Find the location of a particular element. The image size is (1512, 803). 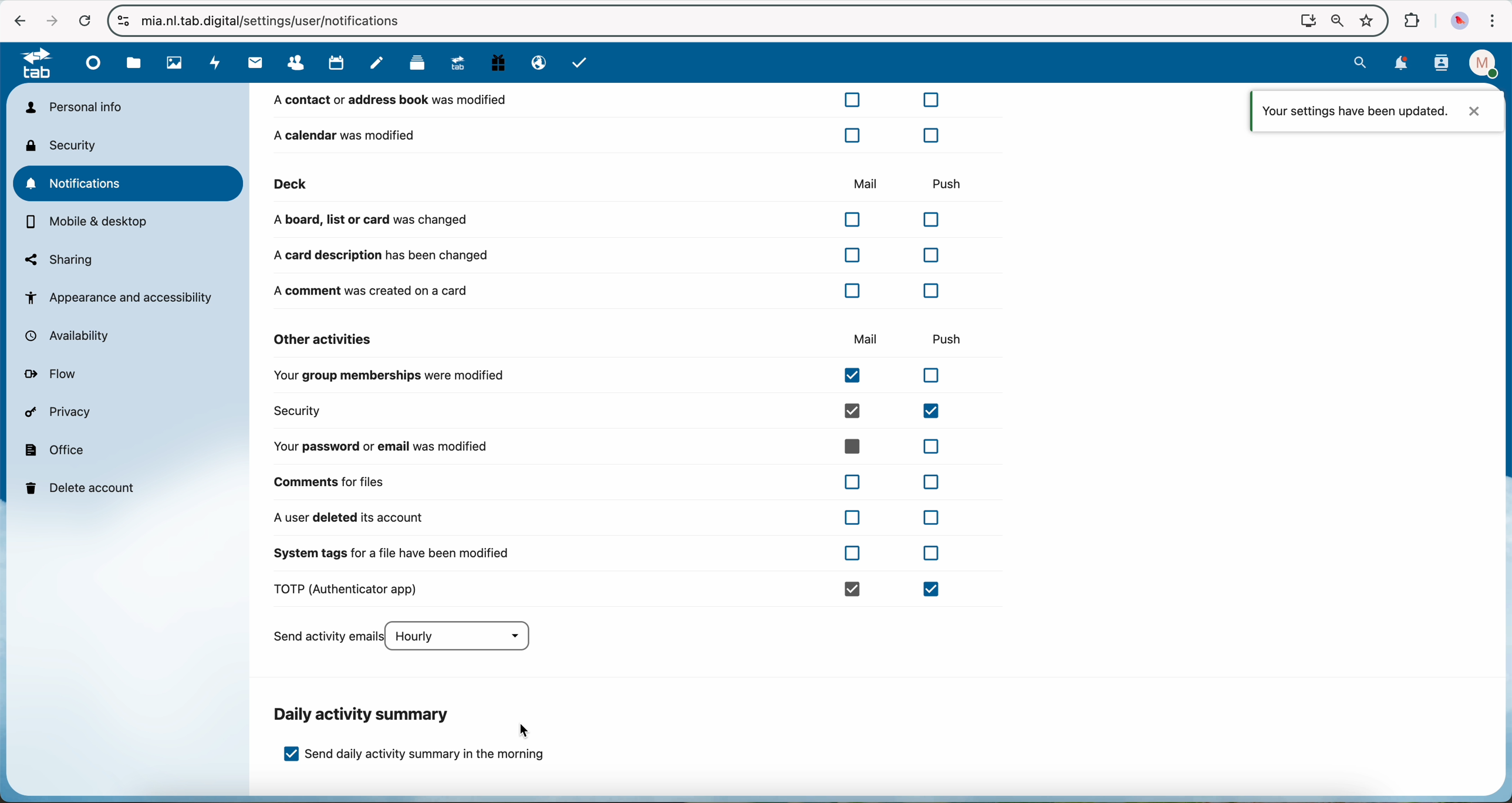

contacts is located at coordinates (299, 63).